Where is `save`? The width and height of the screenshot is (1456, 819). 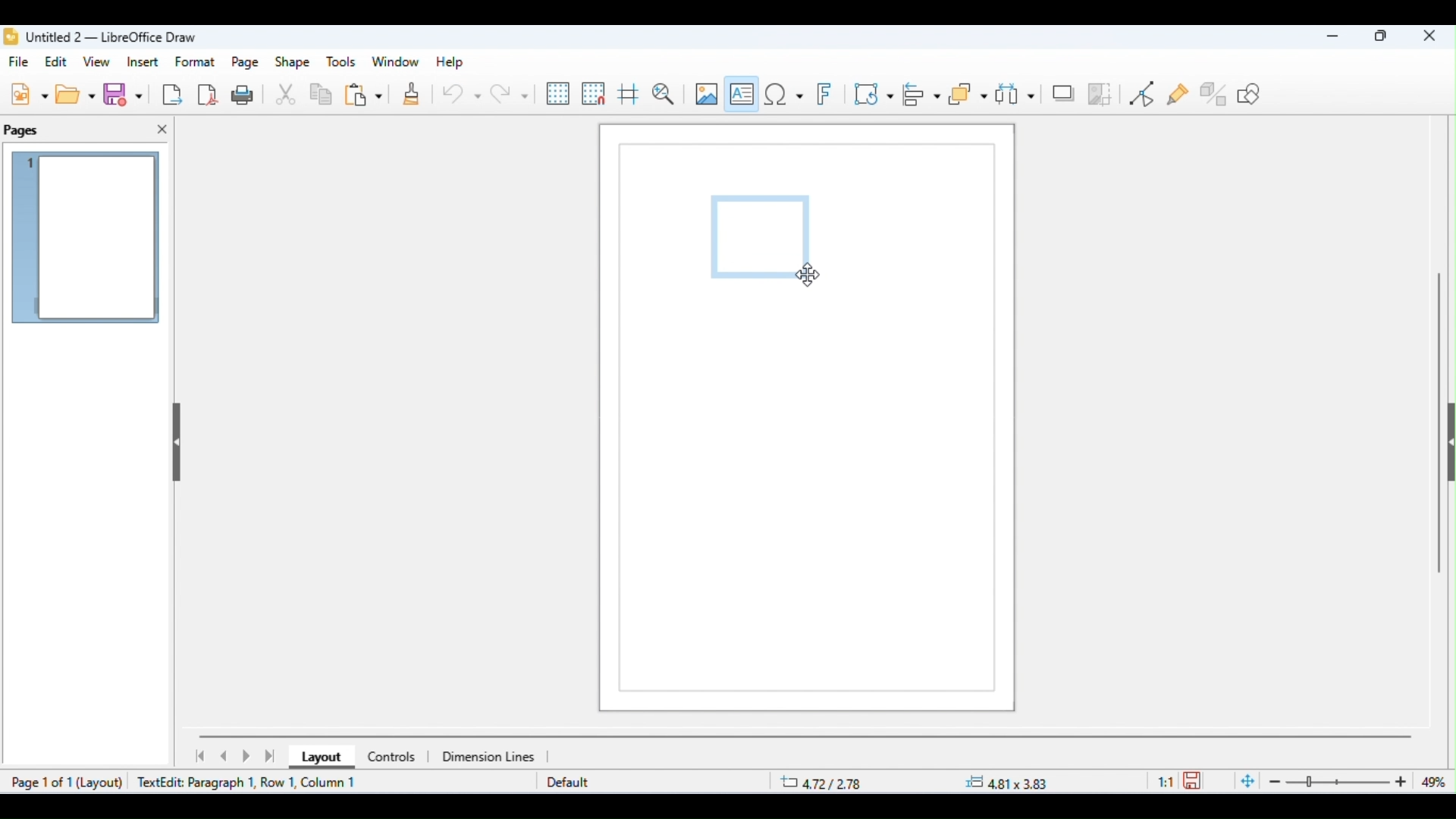
save is located at coordinates (126, 95).